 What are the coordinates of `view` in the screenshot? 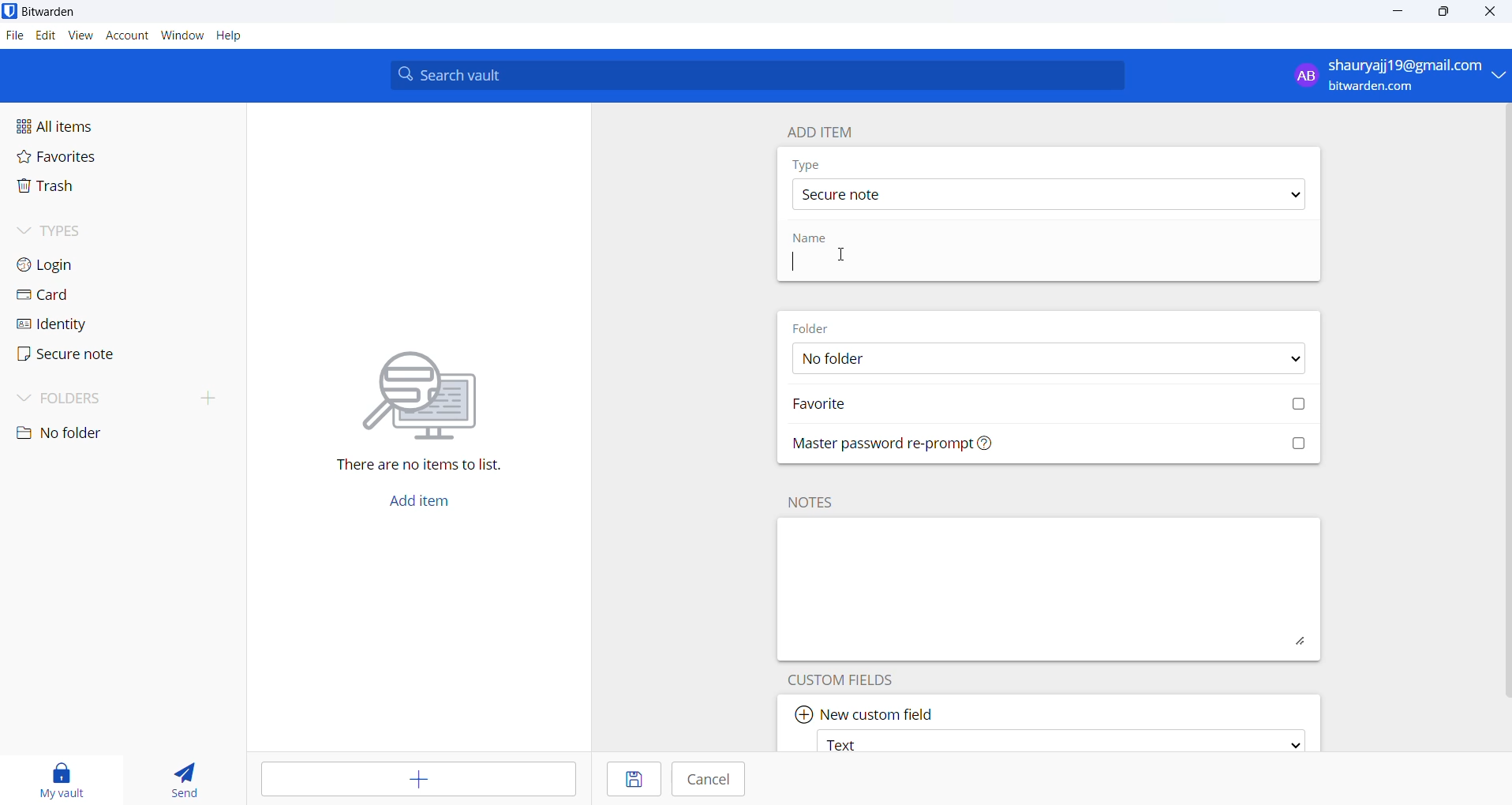 It's located at (82, 36).